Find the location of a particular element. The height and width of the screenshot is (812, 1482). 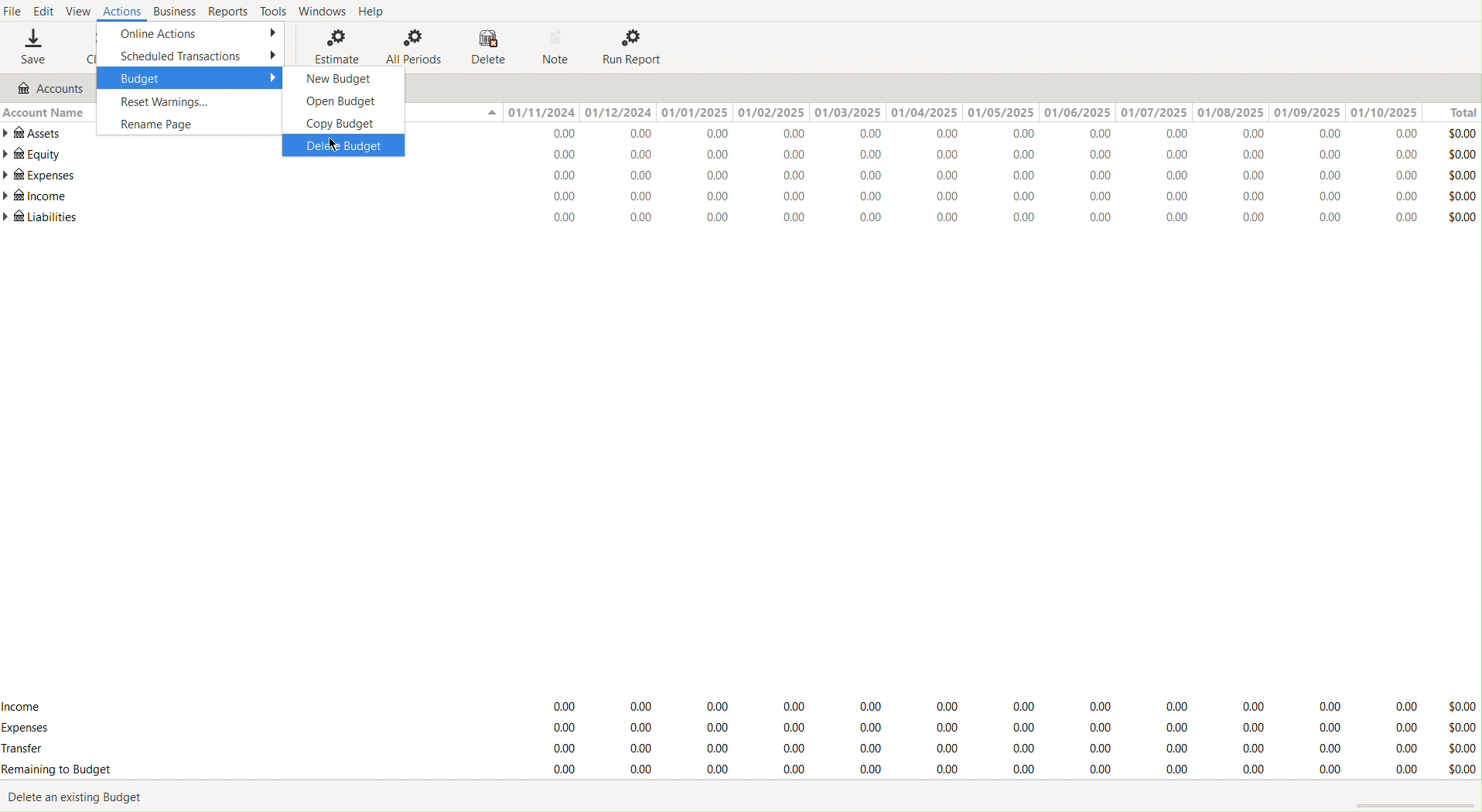

Income Values is located at coordinates (986, 704).